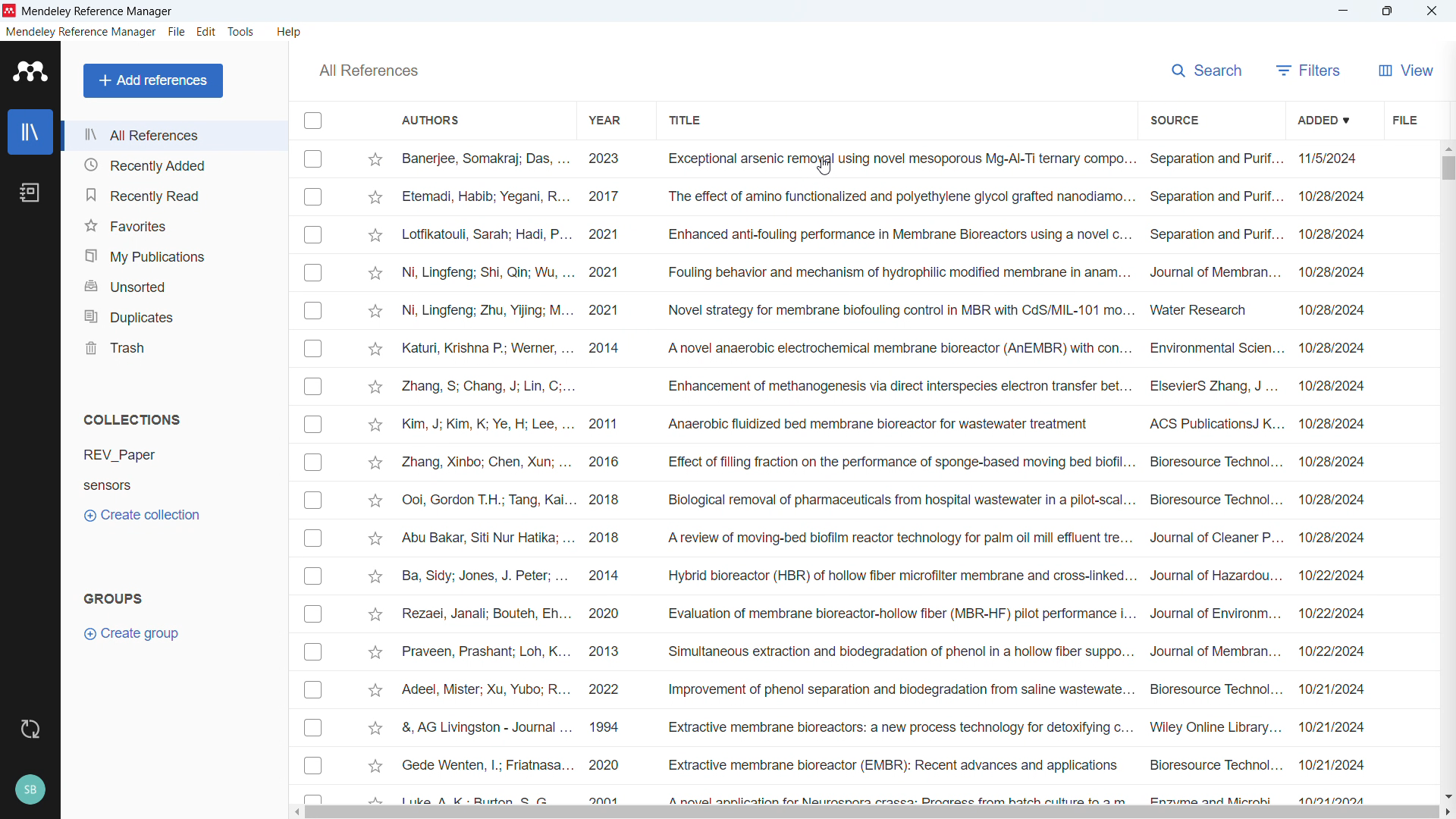 Image resolution: width=1456 pixels, height=819 pixels. I want to click on 2020, so click(604, 767).